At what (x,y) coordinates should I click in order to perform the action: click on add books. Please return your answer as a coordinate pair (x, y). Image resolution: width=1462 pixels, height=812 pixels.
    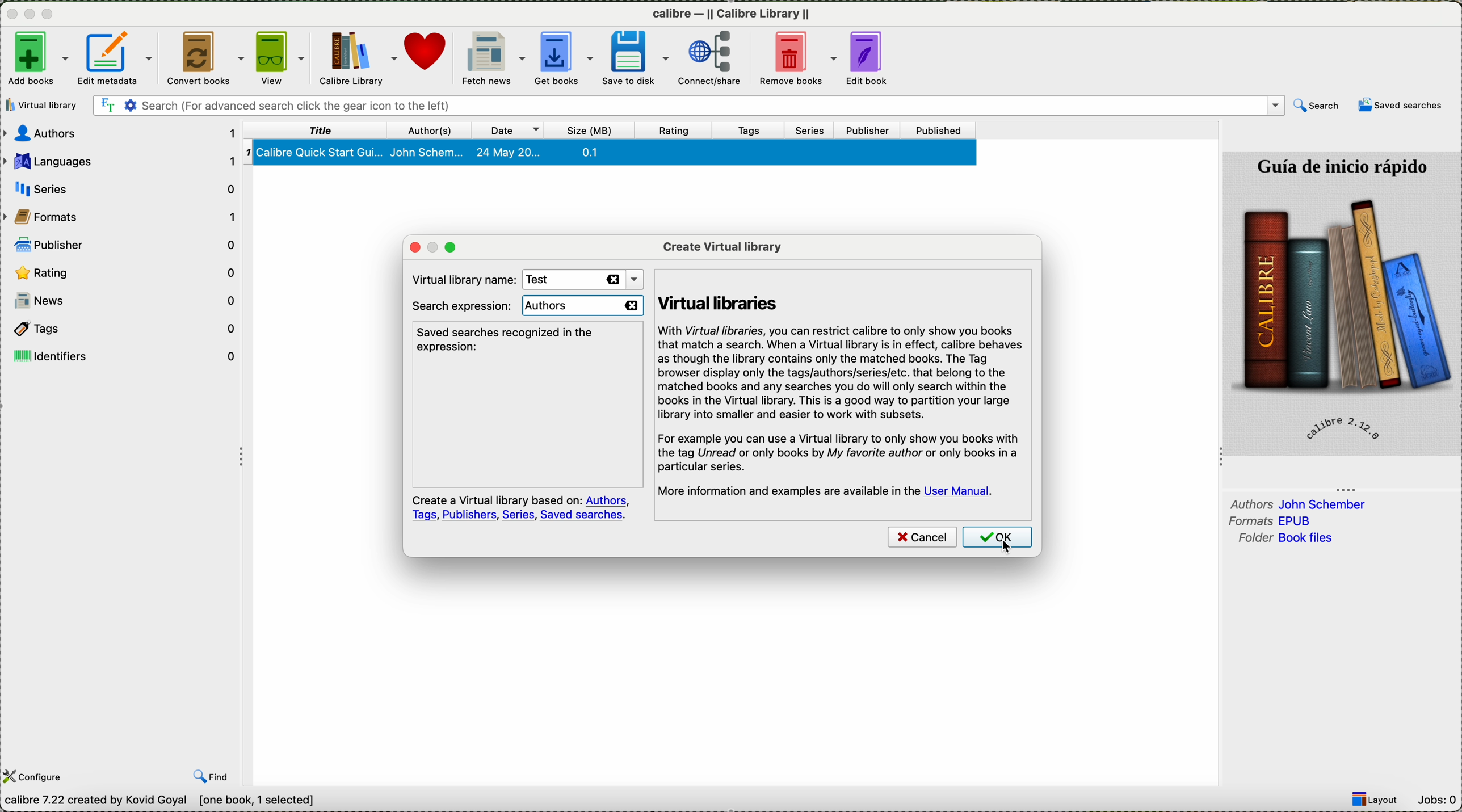
    Looking at the image, I should click on (36, 57).